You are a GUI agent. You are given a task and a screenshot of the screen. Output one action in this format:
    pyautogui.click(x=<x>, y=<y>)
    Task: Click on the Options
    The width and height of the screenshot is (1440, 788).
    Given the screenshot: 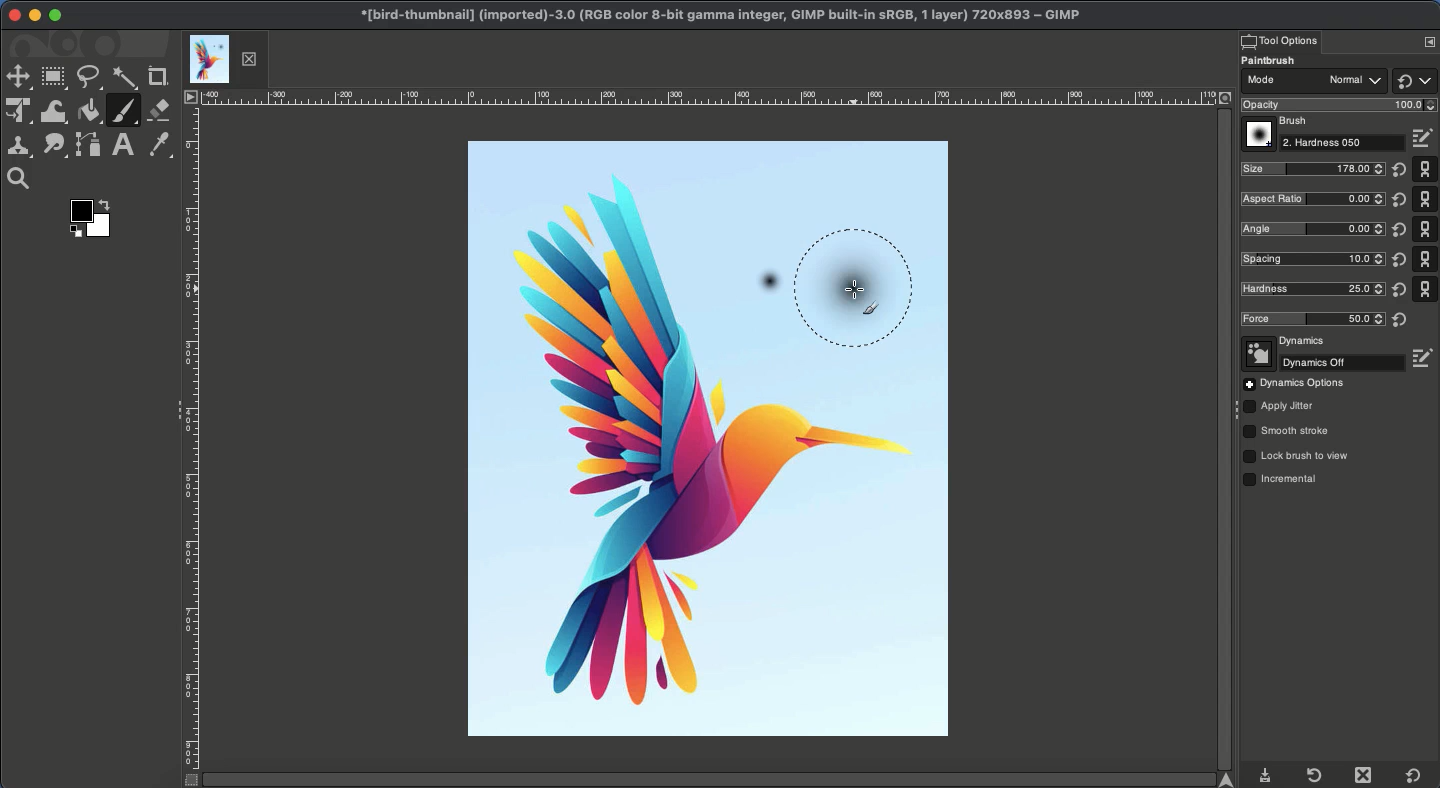 What is the action you would take?
    pyautogui.click(x=1429, y=41)
    